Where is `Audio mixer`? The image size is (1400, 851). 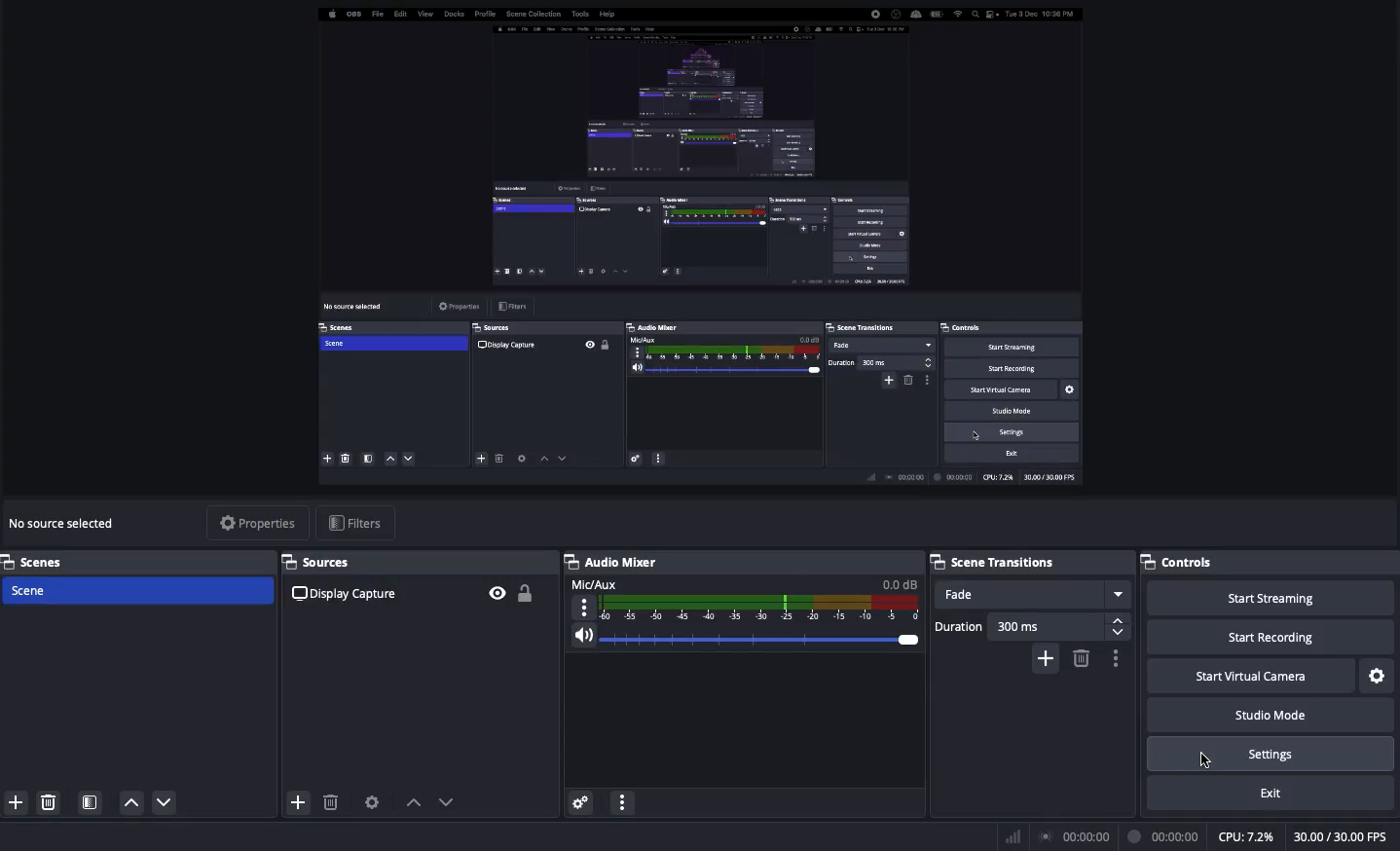
Audio mixer is located at coordinates (613, 559).